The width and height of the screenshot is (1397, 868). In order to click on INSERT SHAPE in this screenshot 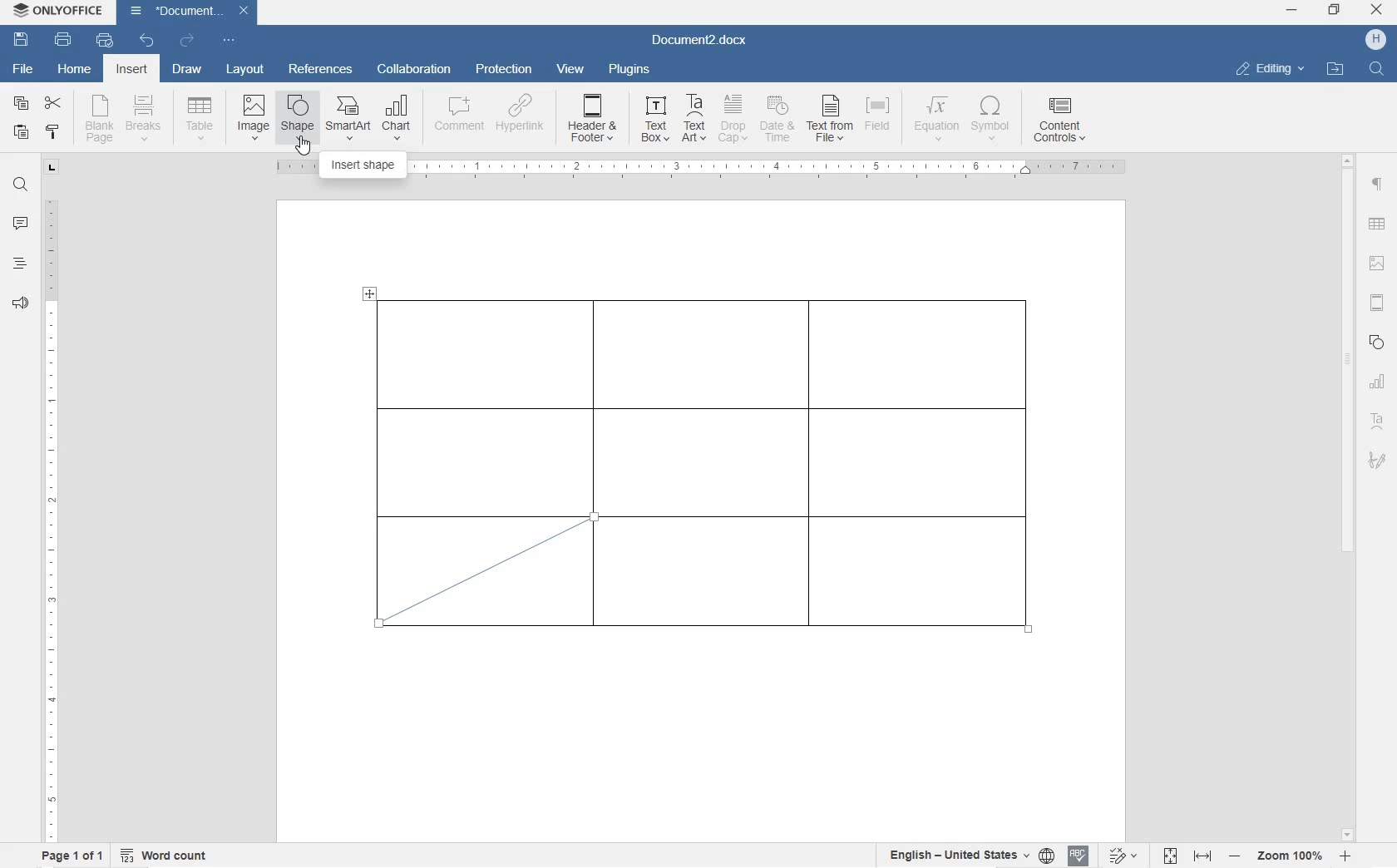, I will do `click(366, 165)`.